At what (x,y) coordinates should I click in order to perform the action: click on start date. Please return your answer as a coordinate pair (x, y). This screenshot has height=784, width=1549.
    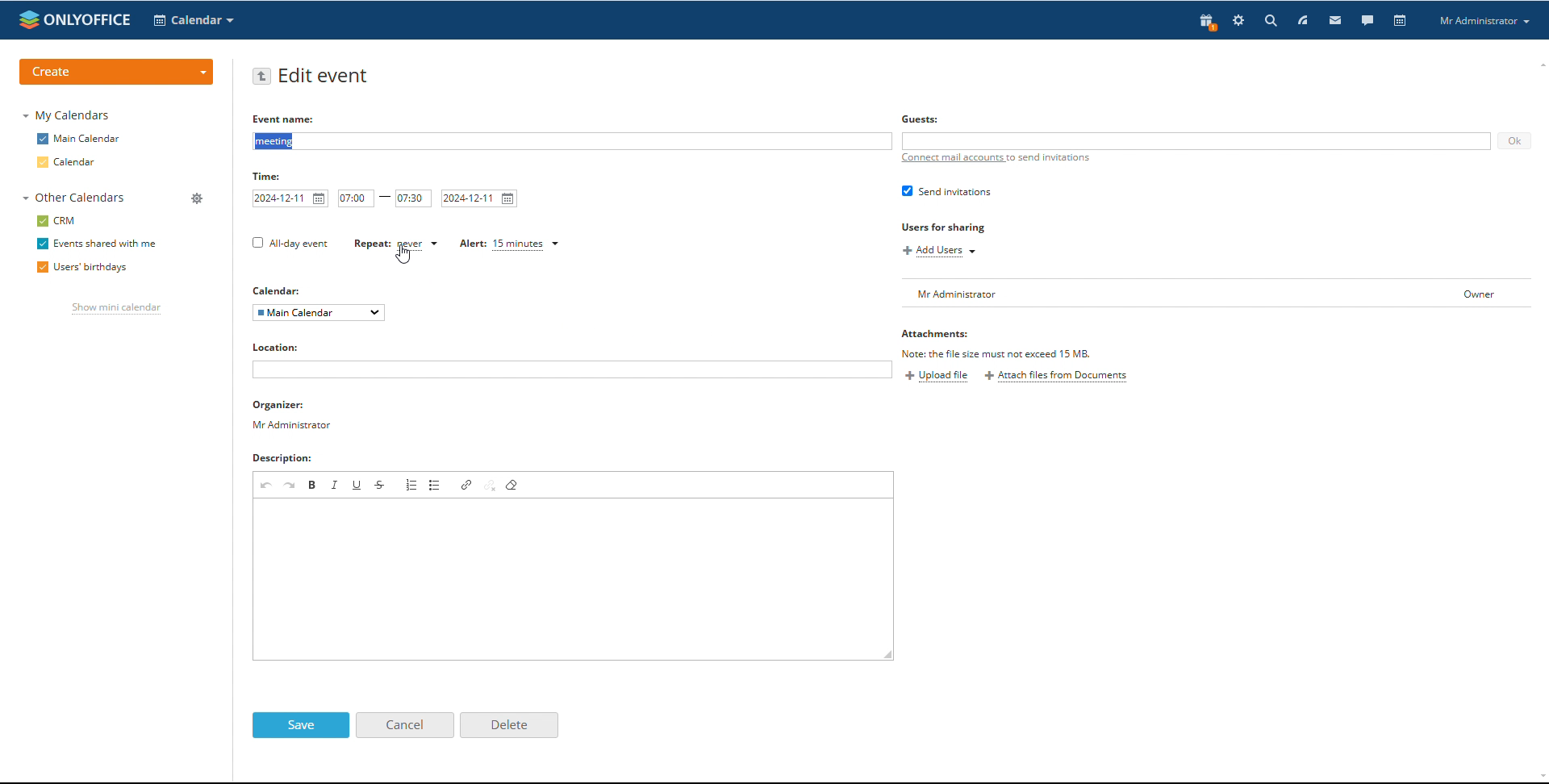
    Looking at the image, I should click on (290, 198).